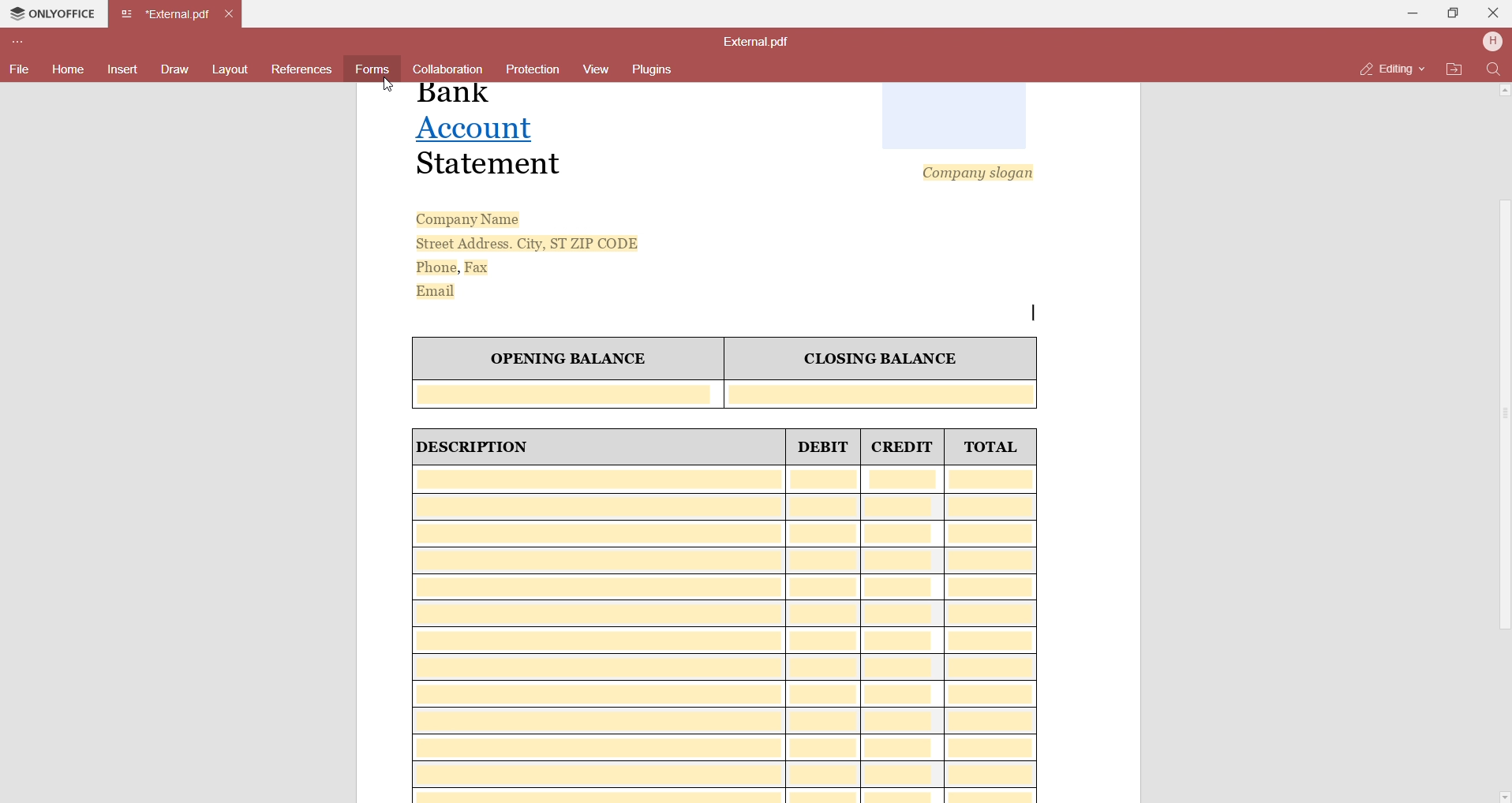 Image resolution: width=1512 pixels, height=803 pixels. What do you see at coordinates (764, 41) in the screenshot?
I see `External.pdf(File Name)` at bounding box center [764, 41].